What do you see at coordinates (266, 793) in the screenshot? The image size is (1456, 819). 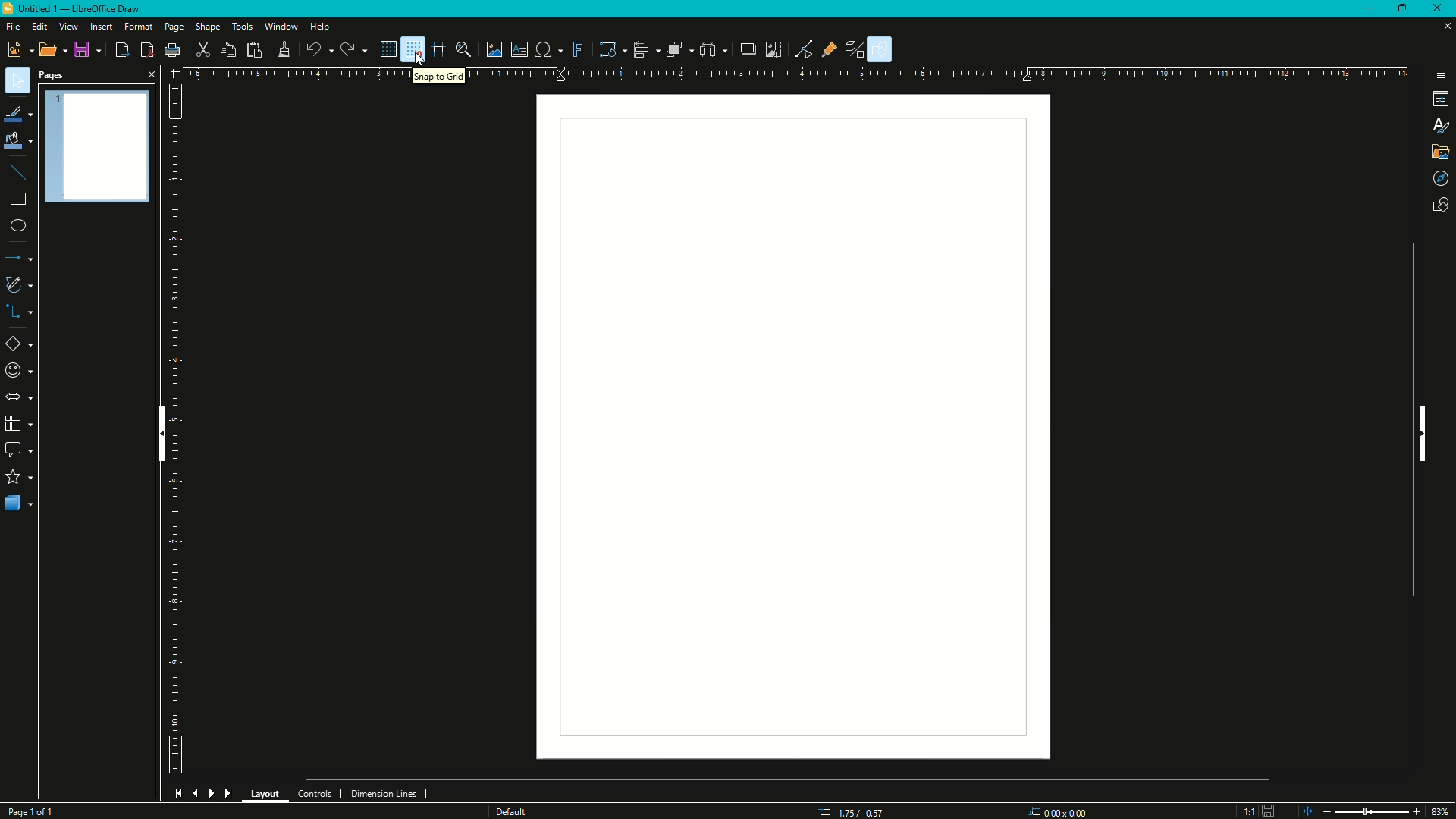 I see `Layout` at bounding box center [266, 793].